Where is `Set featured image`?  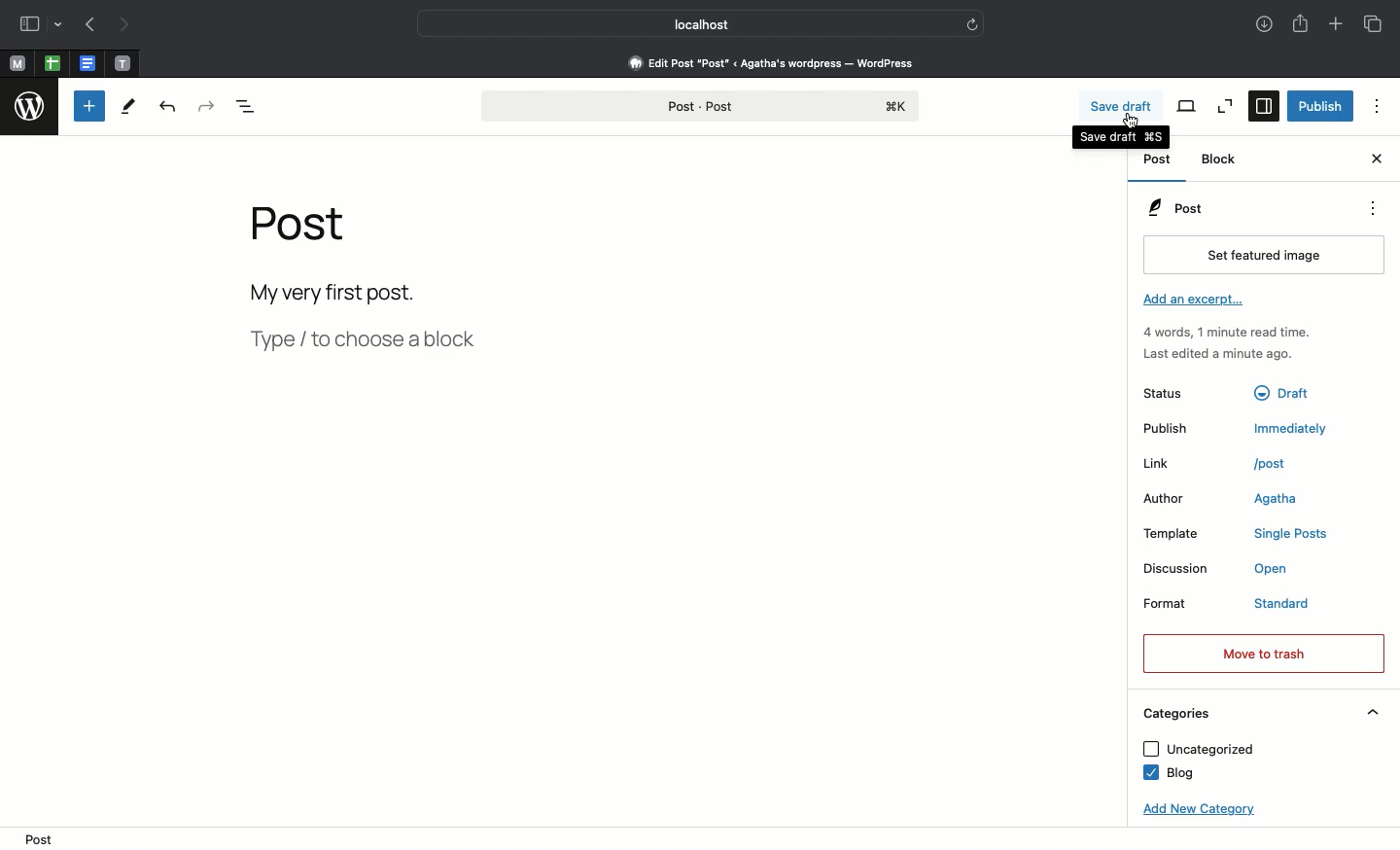
Set featured image is located at coordinates (1259, 256).